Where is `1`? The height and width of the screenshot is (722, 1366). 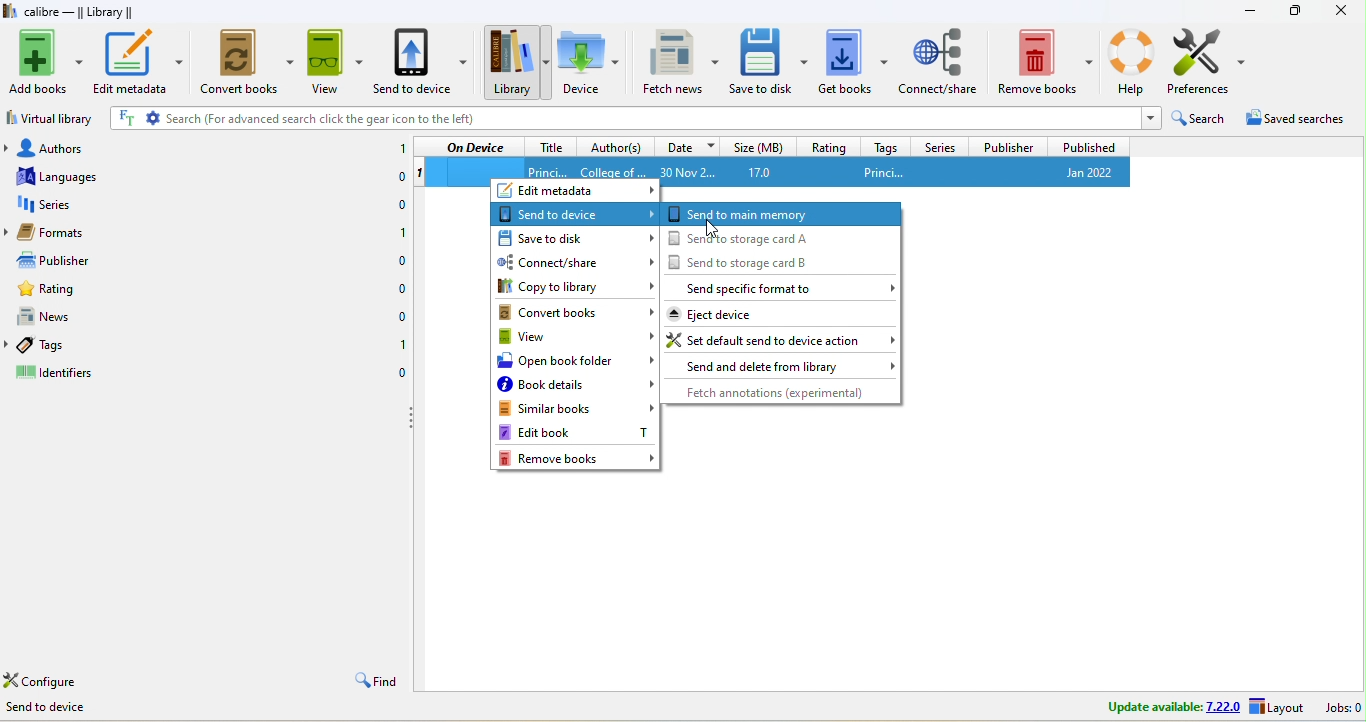 1 is located at coordinates (401, 349).